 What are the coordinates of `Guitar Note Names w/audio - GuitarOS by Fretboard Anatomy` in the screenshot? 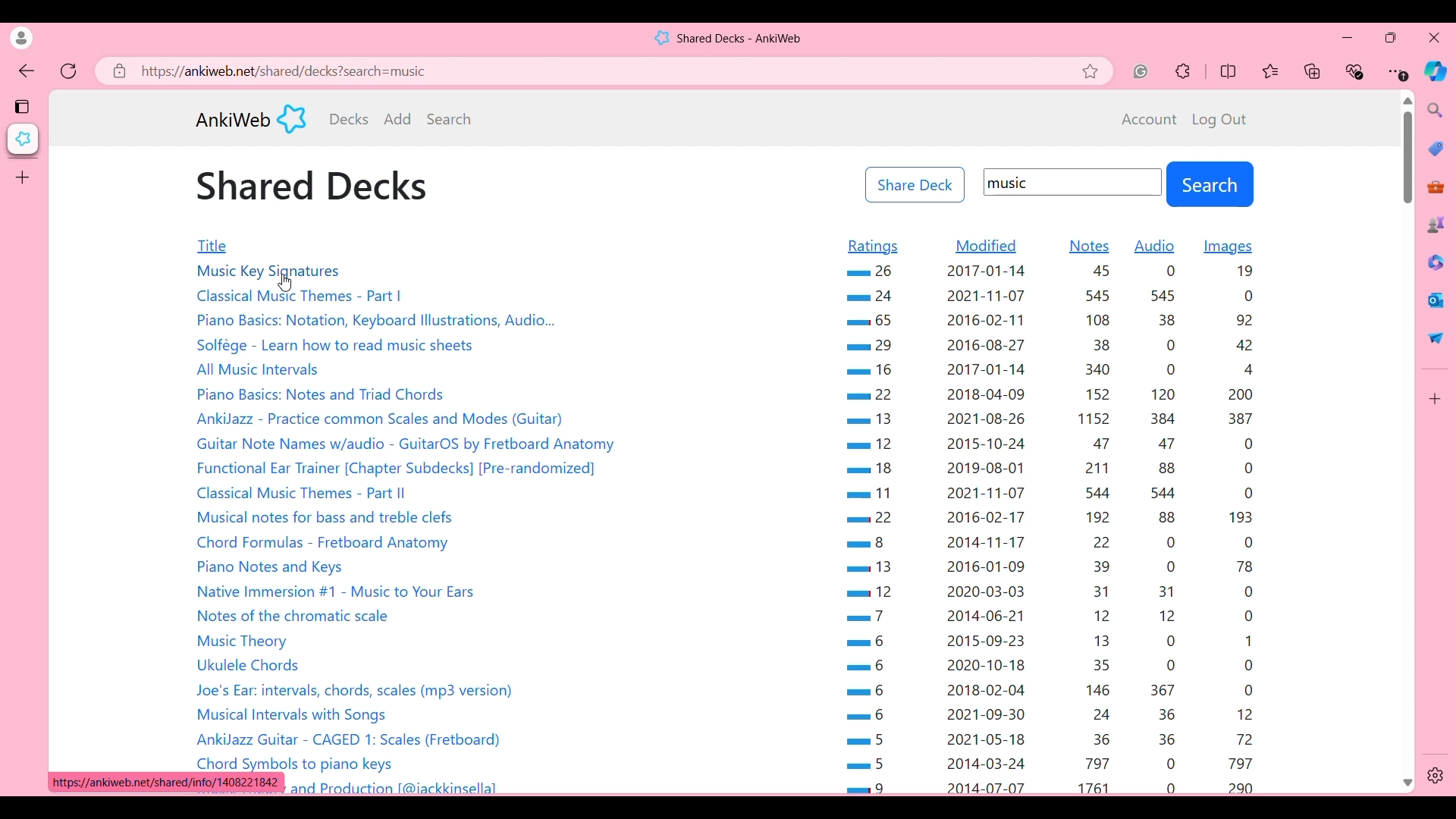 It's located at (413, 445).